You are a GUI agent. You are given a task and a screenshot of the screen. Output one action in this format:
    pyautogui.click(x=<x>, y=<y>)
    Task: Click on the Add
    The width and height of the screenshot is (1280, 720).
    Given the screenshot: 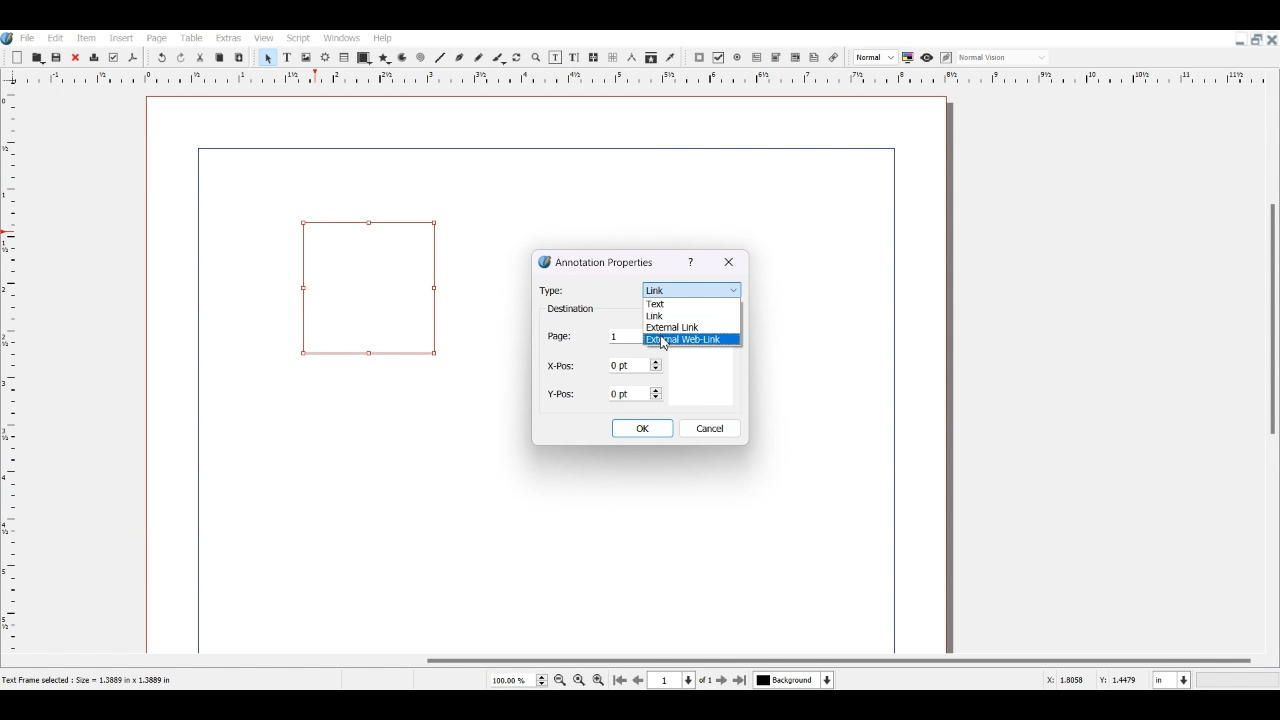 What is the action you would take?
    pyautogui.click(x=17, y=58)
    